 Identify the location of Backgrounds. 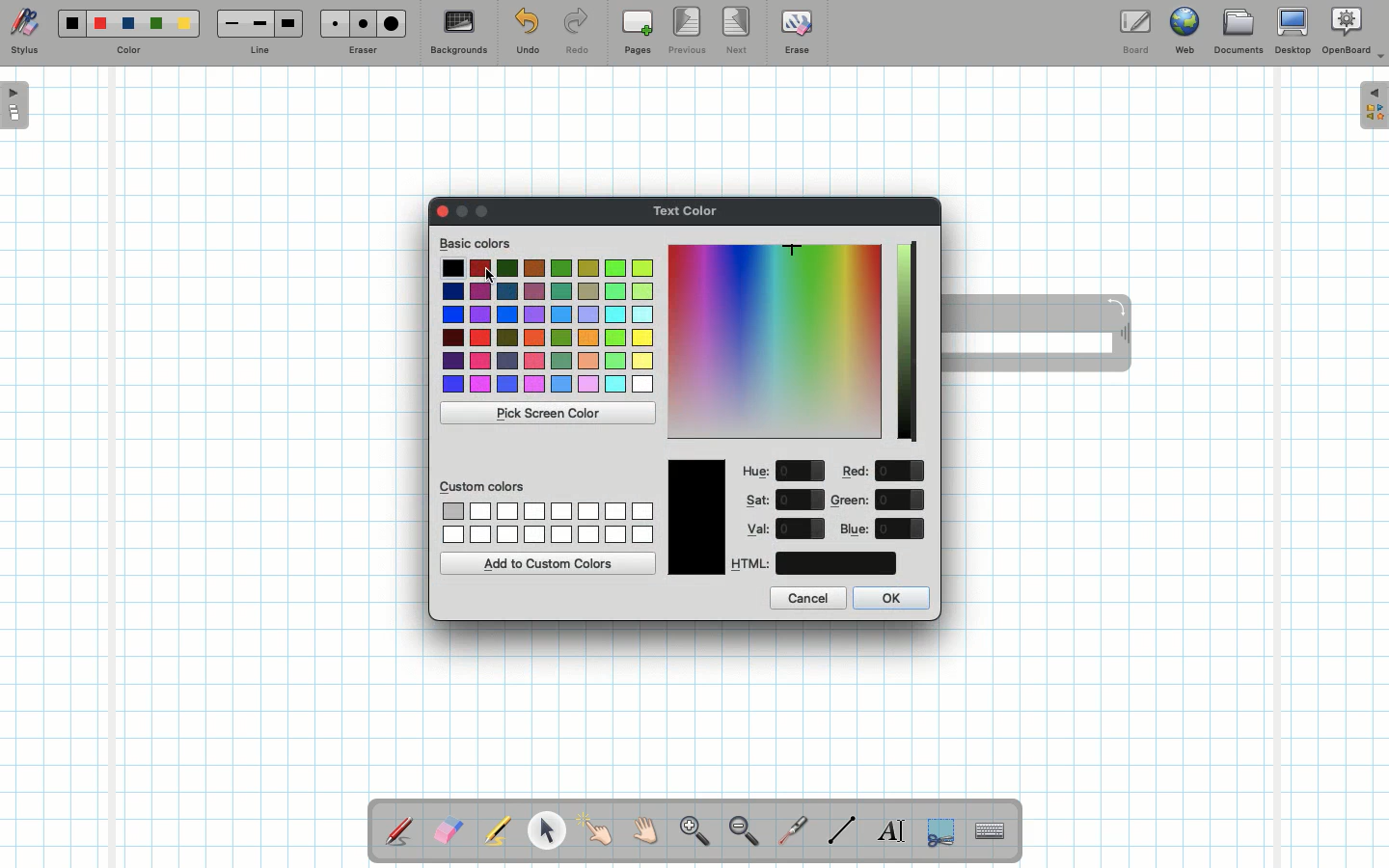
(458, 33).